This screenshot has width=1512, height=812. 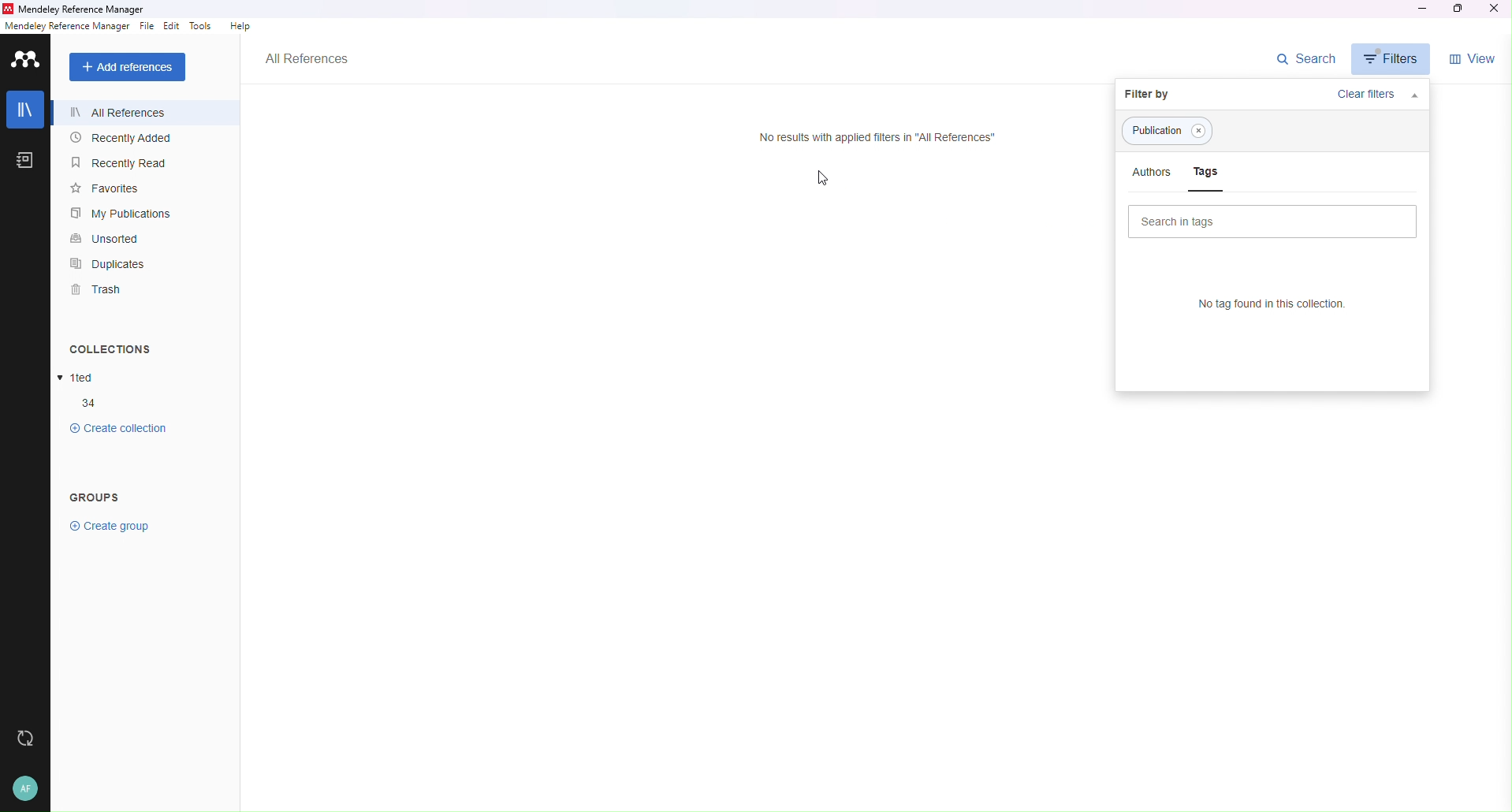 I want to click on Help, so click(x=238, y=28).